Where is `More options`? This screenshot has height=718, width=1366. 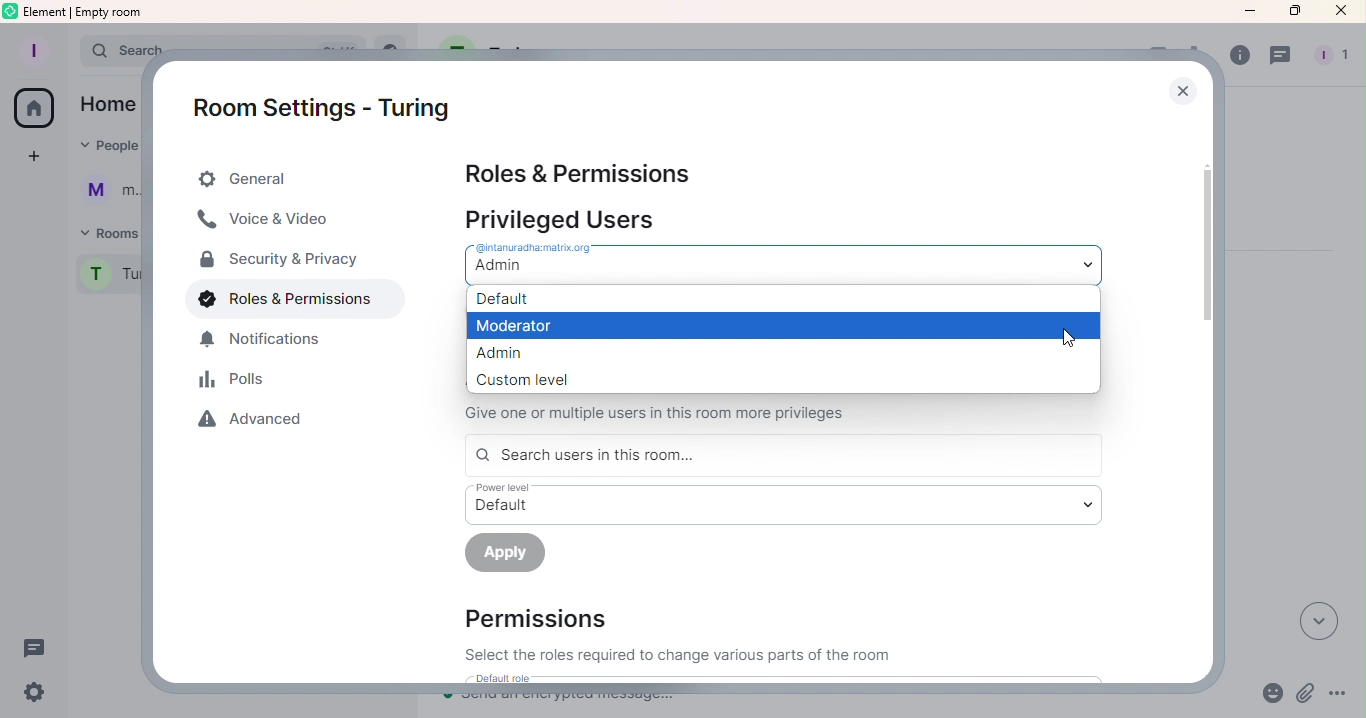
More options is located at coordinates (1336, 696).